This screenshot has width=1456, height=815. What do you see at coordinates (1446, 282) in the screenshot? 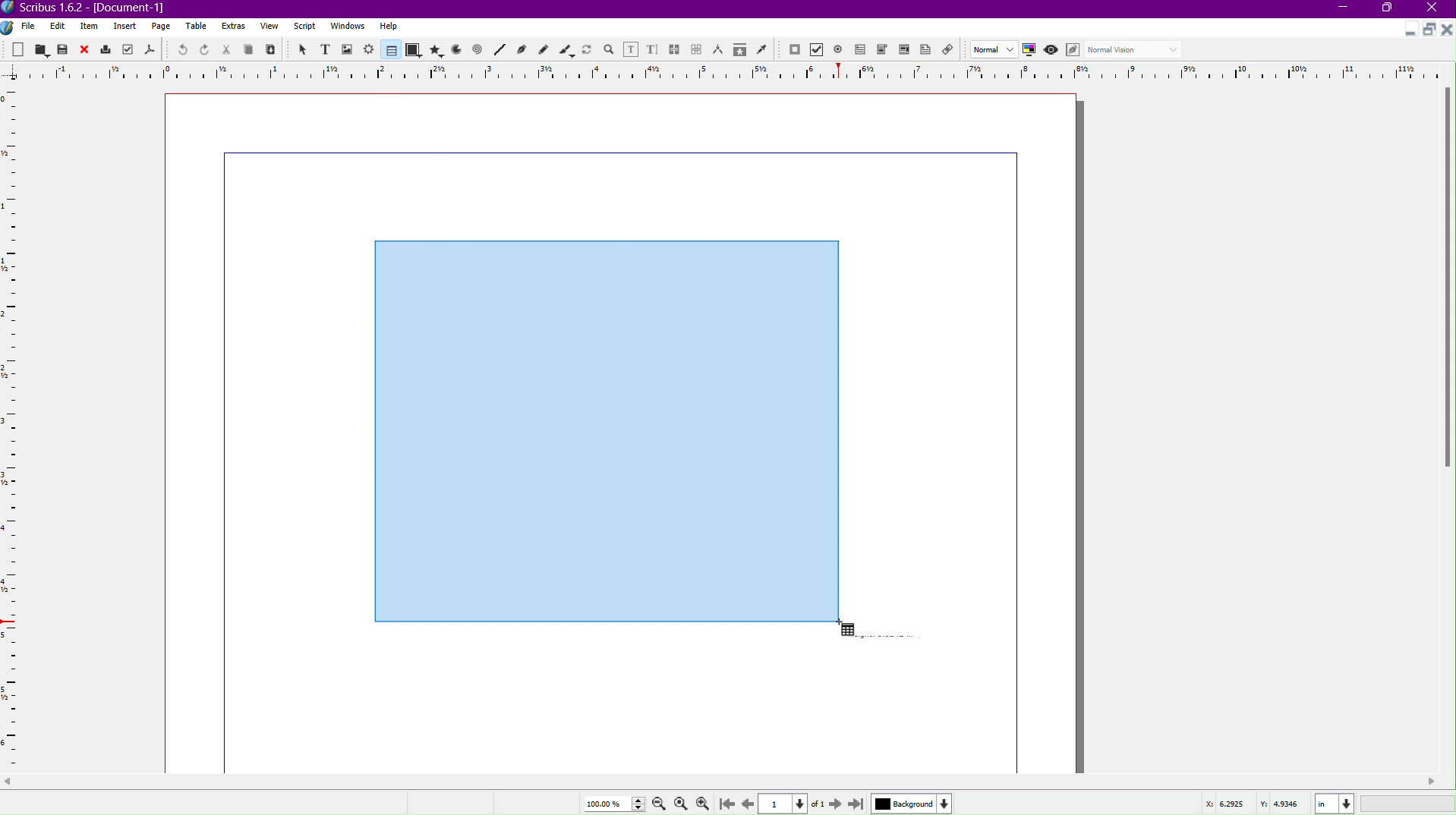
I see `Scrollbar` at bounding box center [1446, 282].